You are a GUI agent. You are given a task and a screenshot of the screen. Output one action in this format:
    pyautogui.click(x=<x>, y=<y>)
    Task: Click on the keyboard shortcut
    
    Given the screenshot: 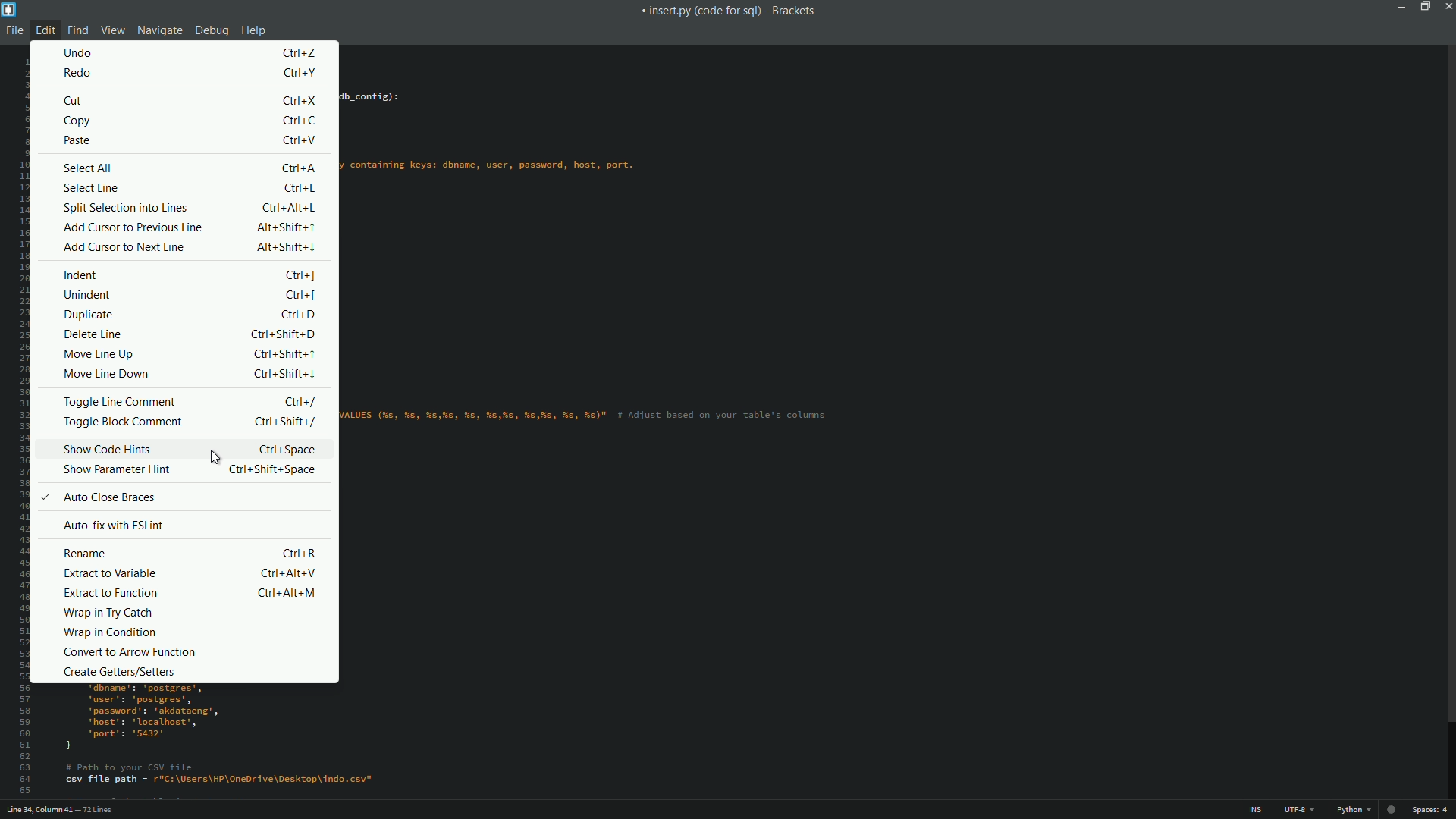 What is the action you would take?
    pyautogui.click(x=301, y=121)
    